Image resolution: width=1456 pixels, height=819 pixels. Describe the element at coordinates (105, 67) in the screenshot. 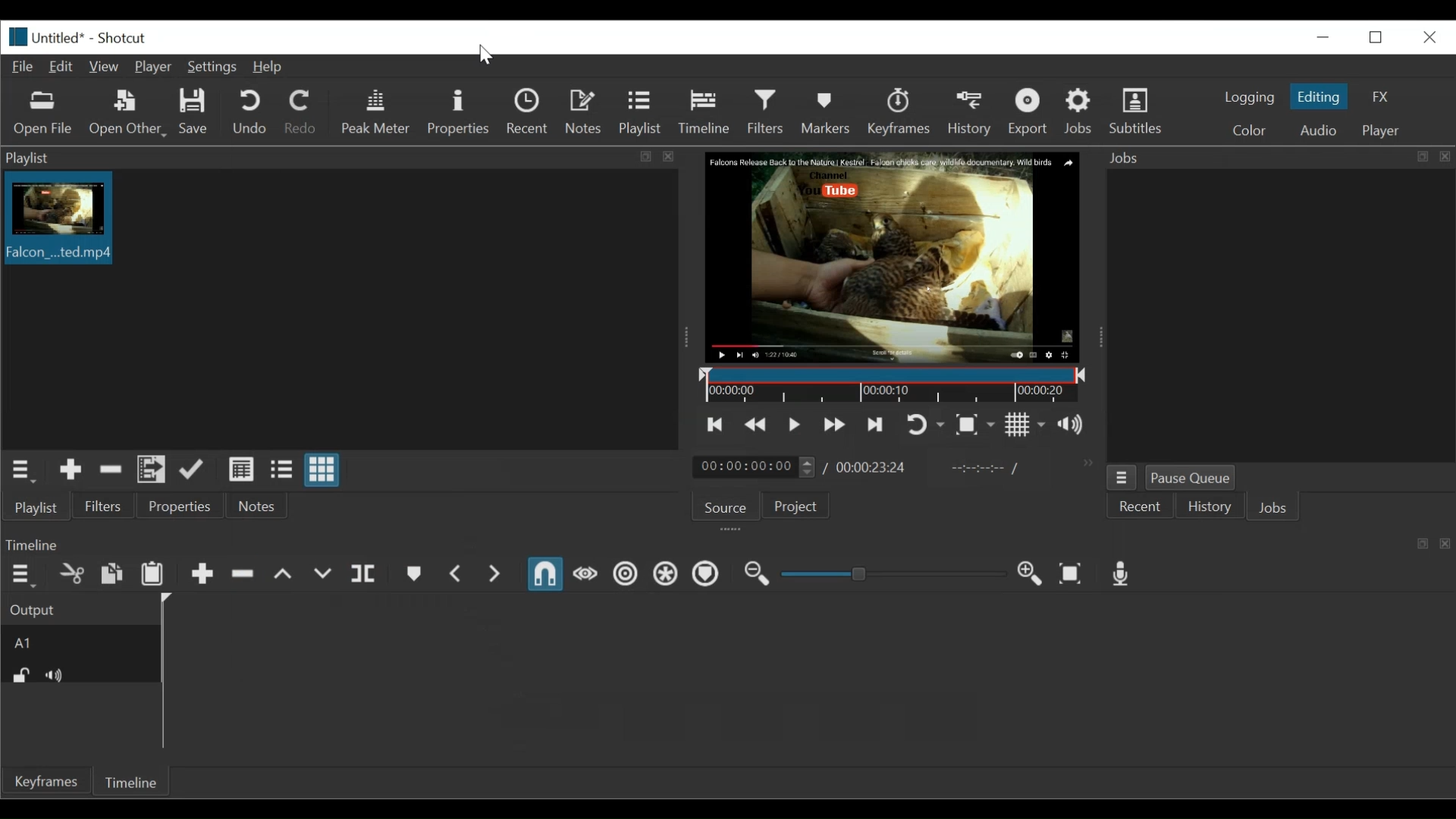

I see `View` at that location.